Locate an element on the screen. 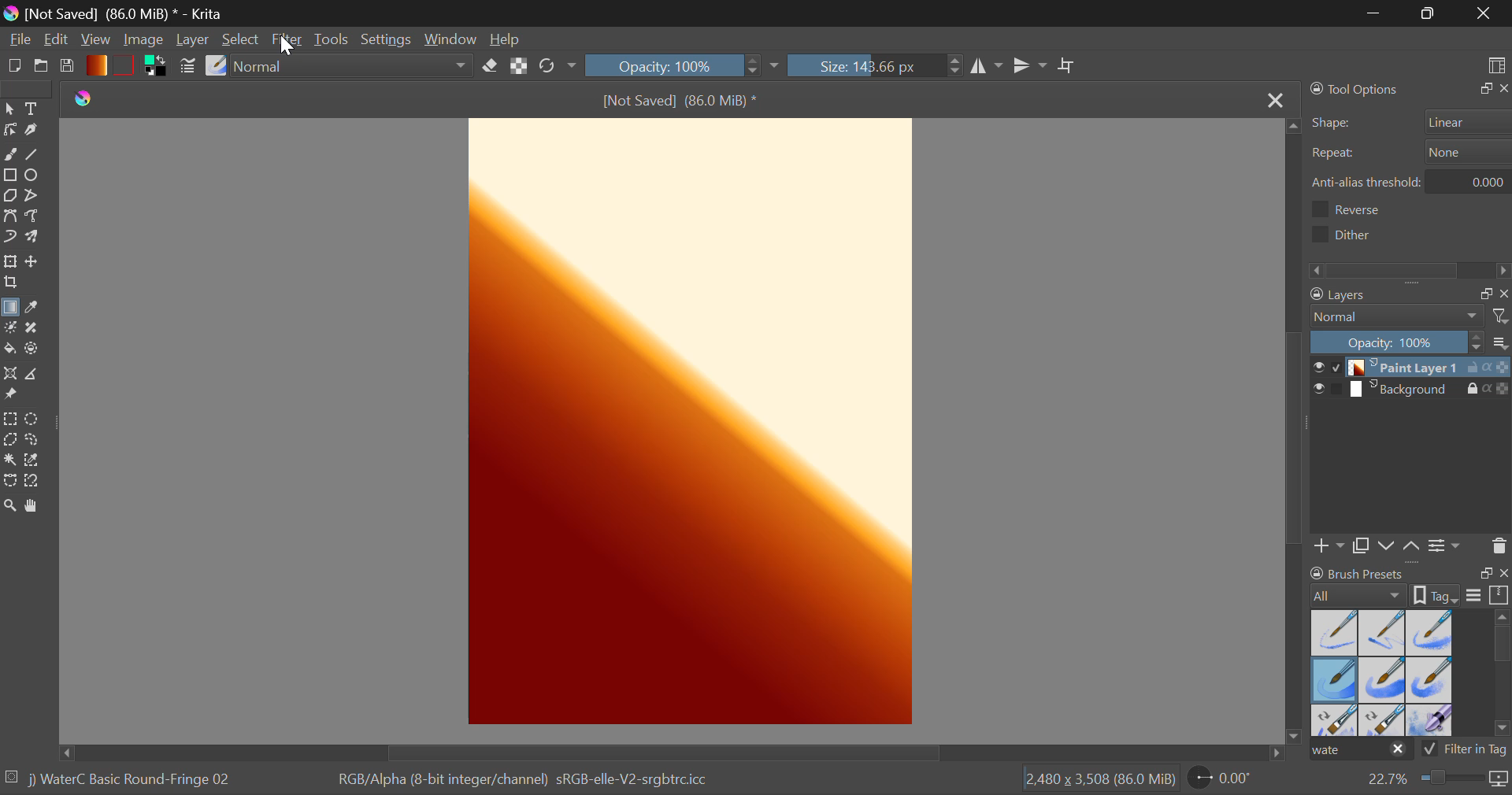  Colorize Mask Tool is located at coordinates (9, 329).